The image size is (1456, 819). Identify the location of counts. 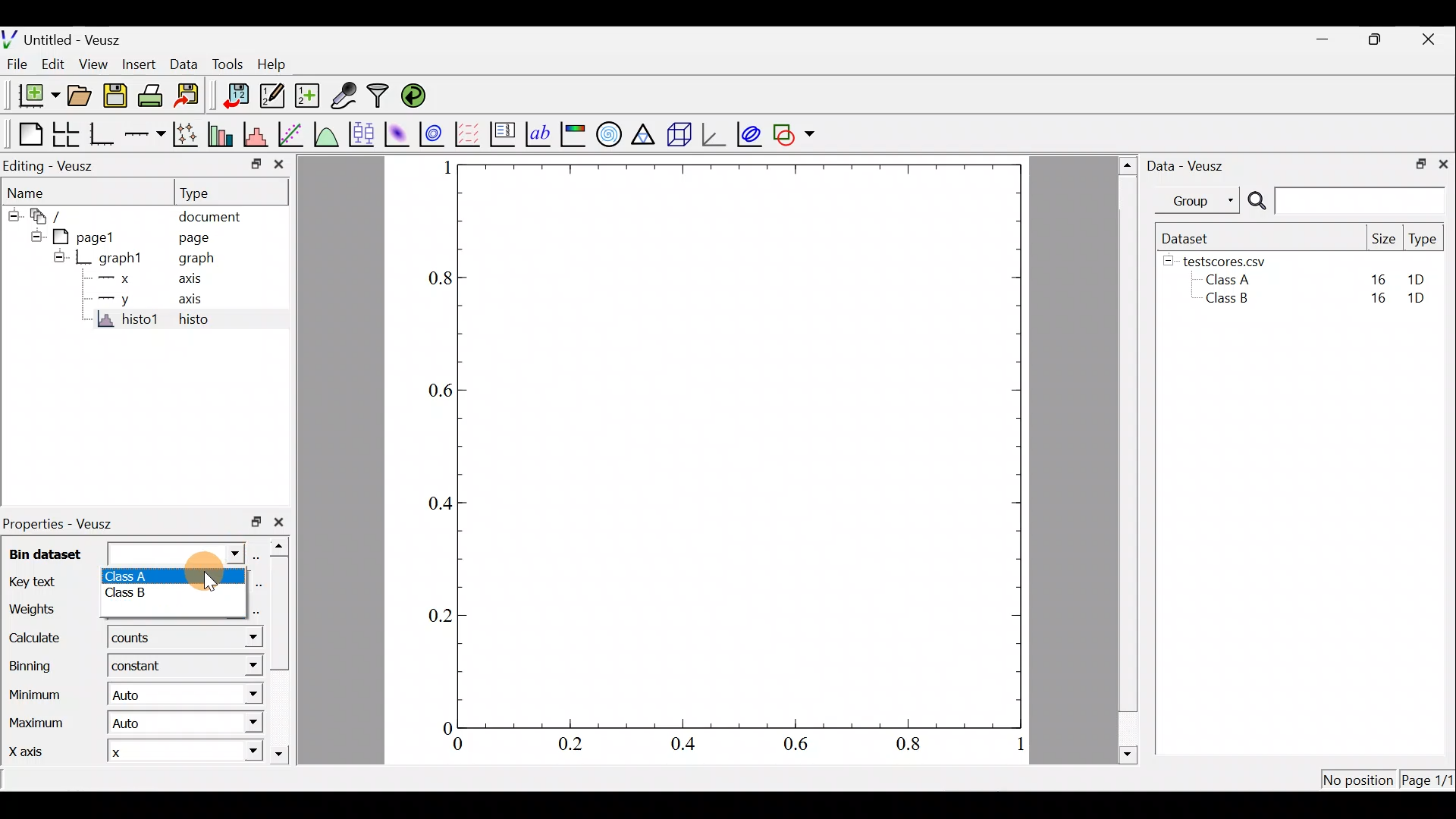
(133, 641).